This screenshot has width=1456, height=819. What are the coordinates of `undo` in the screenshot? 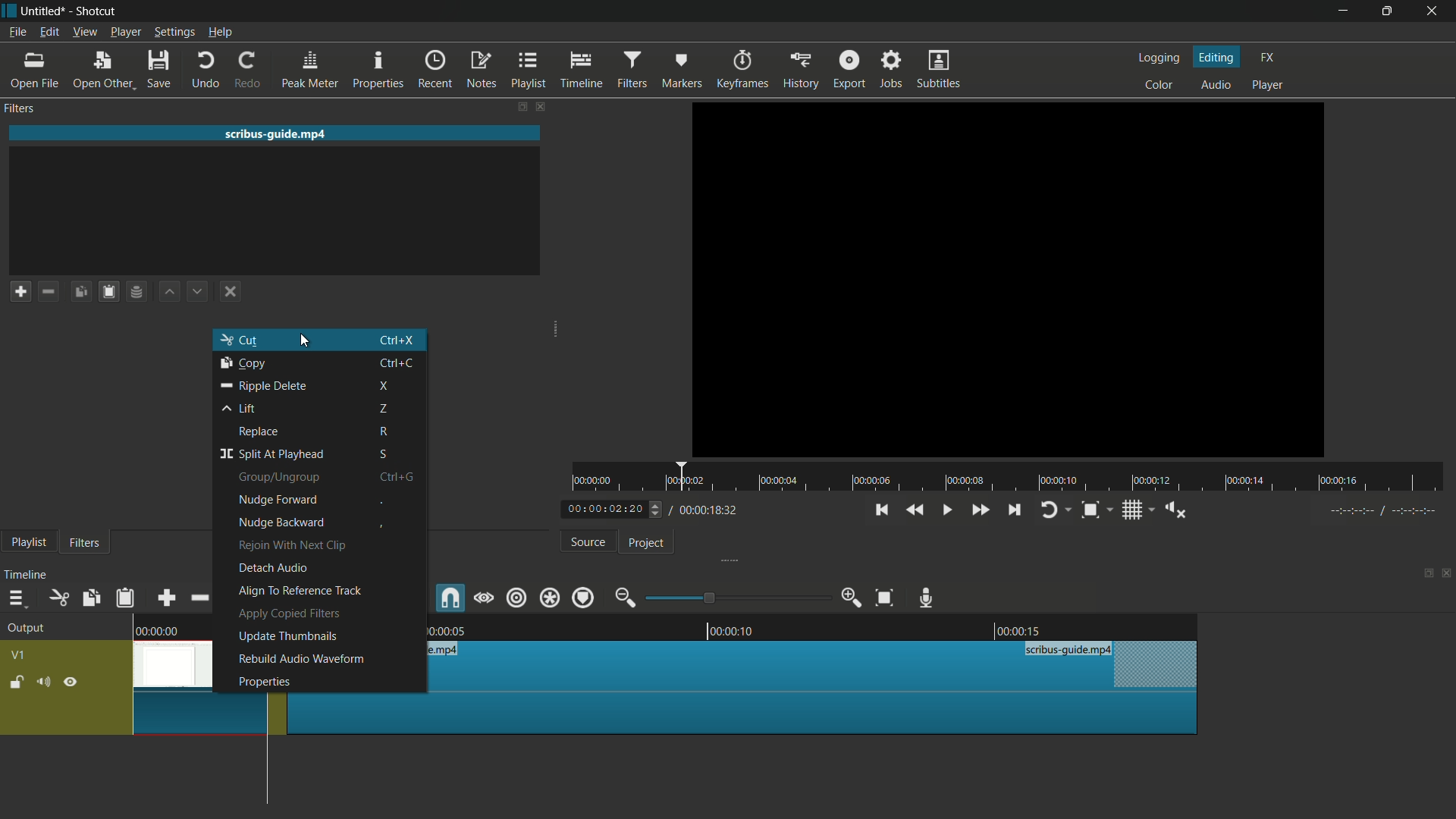 It's located at (209, 69).